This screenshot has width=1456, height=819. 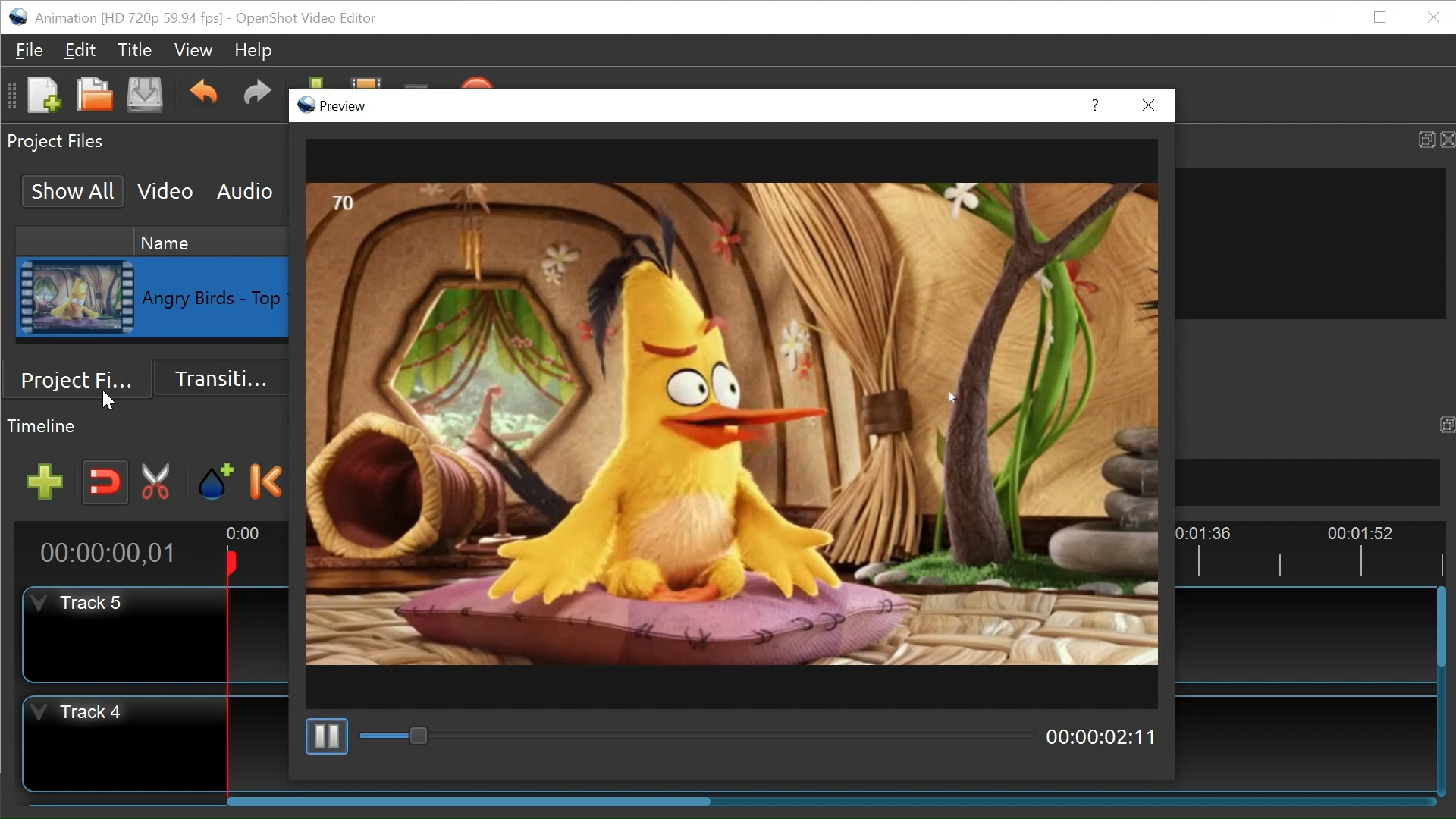 I want to click on Current Position, so click(x=108, y=554).